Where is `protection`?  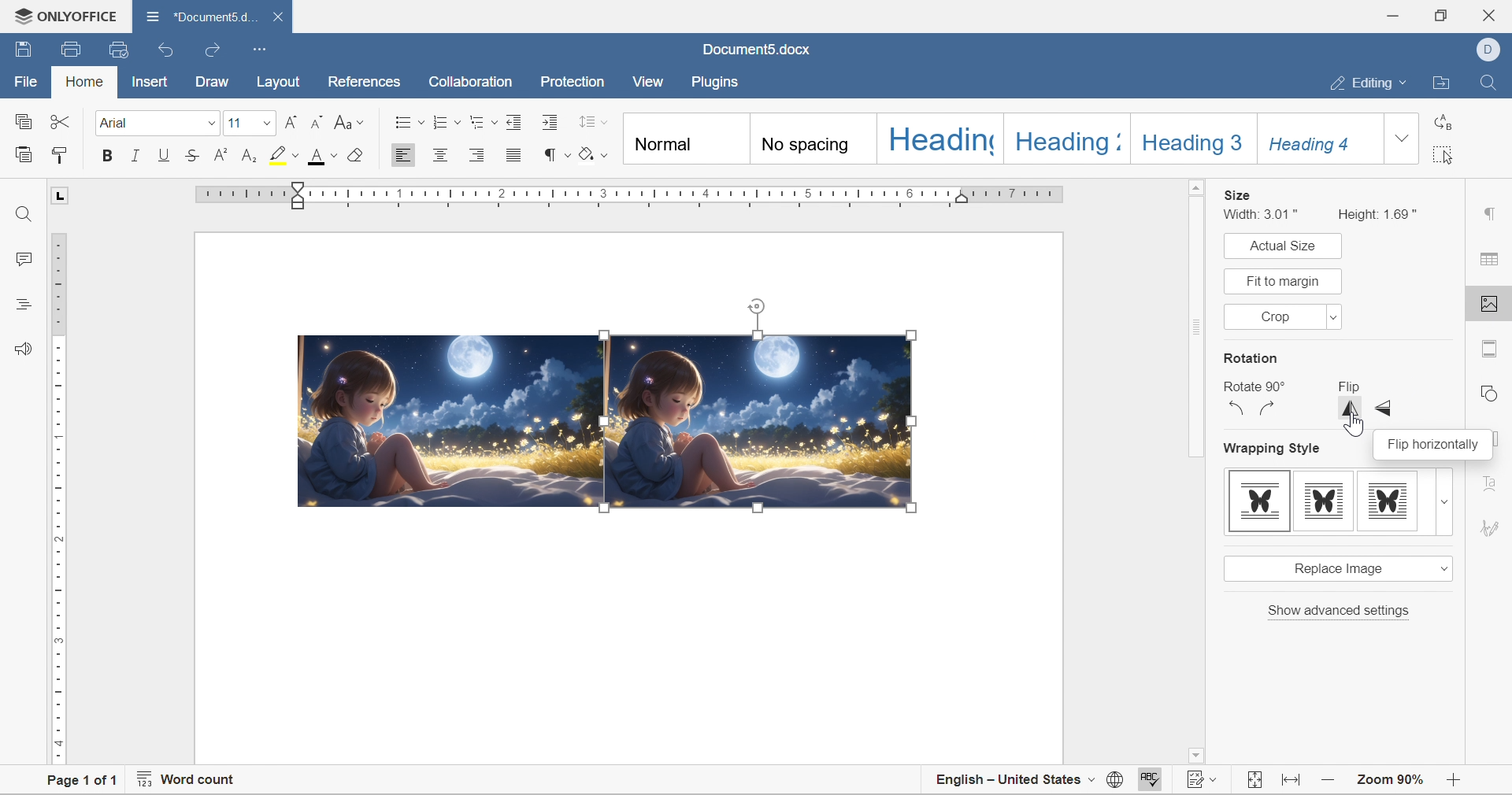
protection is located at coordinates (570, 82).